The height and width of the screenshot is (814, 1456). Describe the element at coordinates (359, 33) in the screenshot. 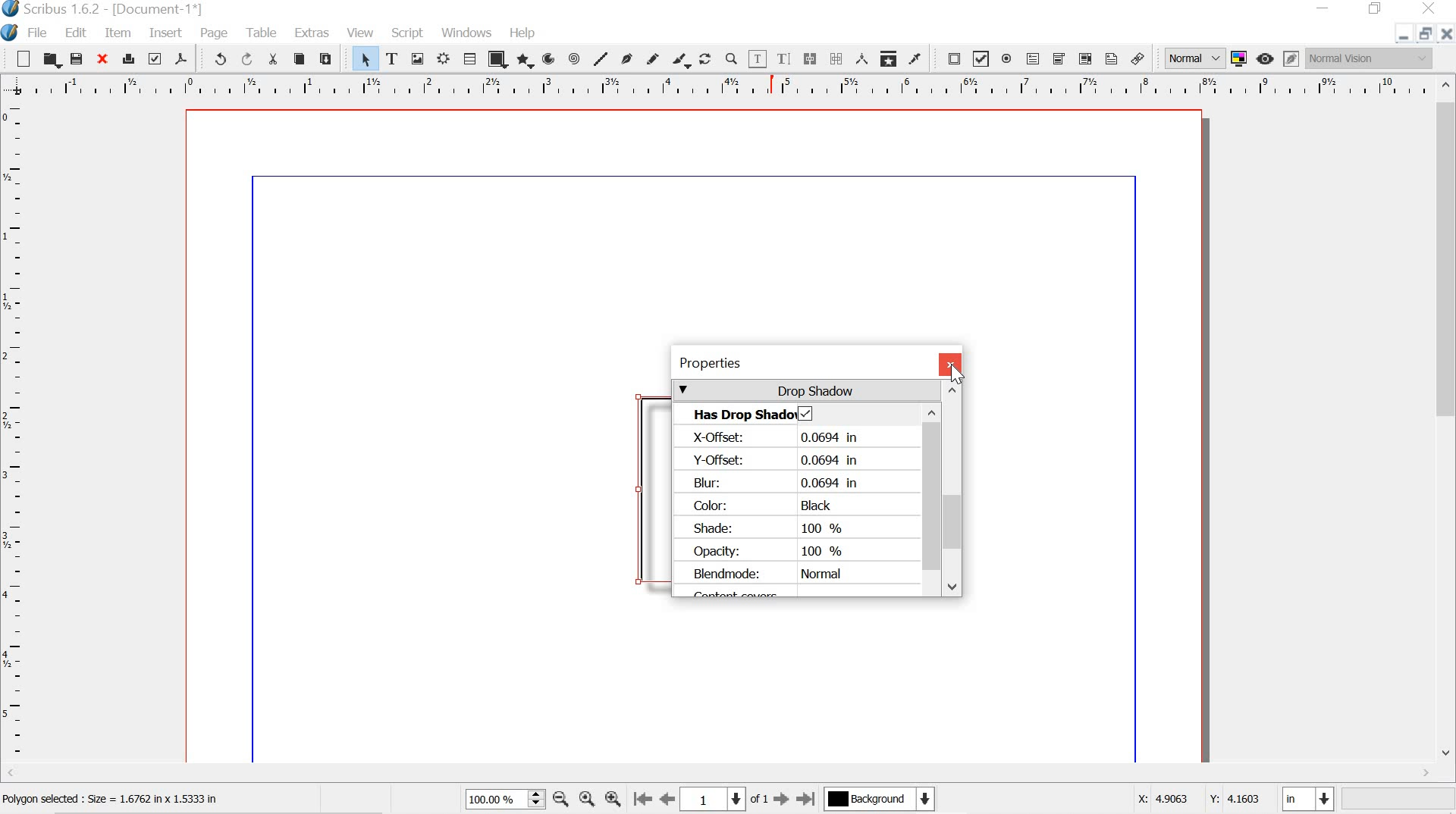

I see `VIEW` at that location.